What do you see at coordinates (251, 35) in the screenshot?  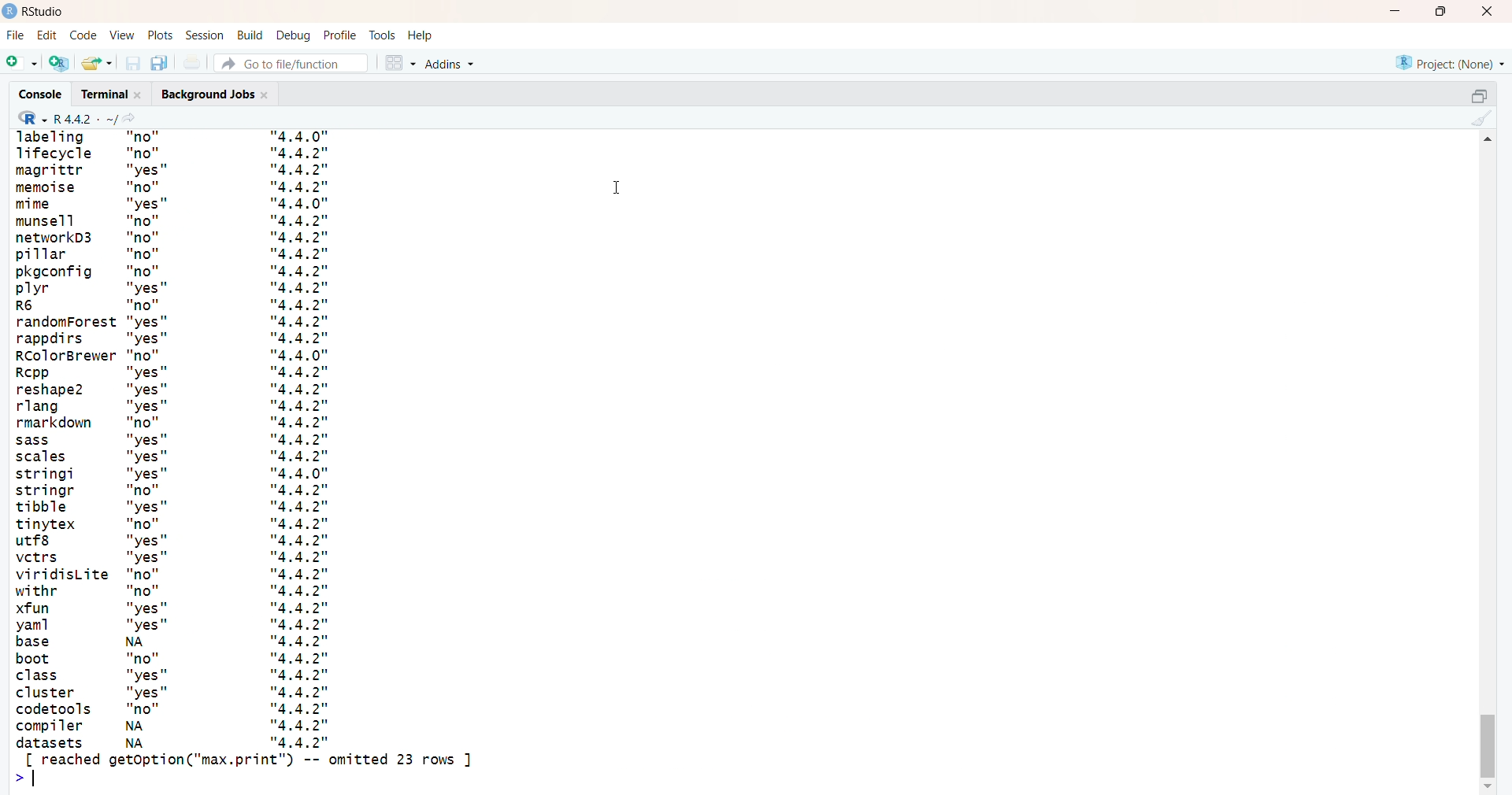 I see `build` at bounding box center [251, 35].